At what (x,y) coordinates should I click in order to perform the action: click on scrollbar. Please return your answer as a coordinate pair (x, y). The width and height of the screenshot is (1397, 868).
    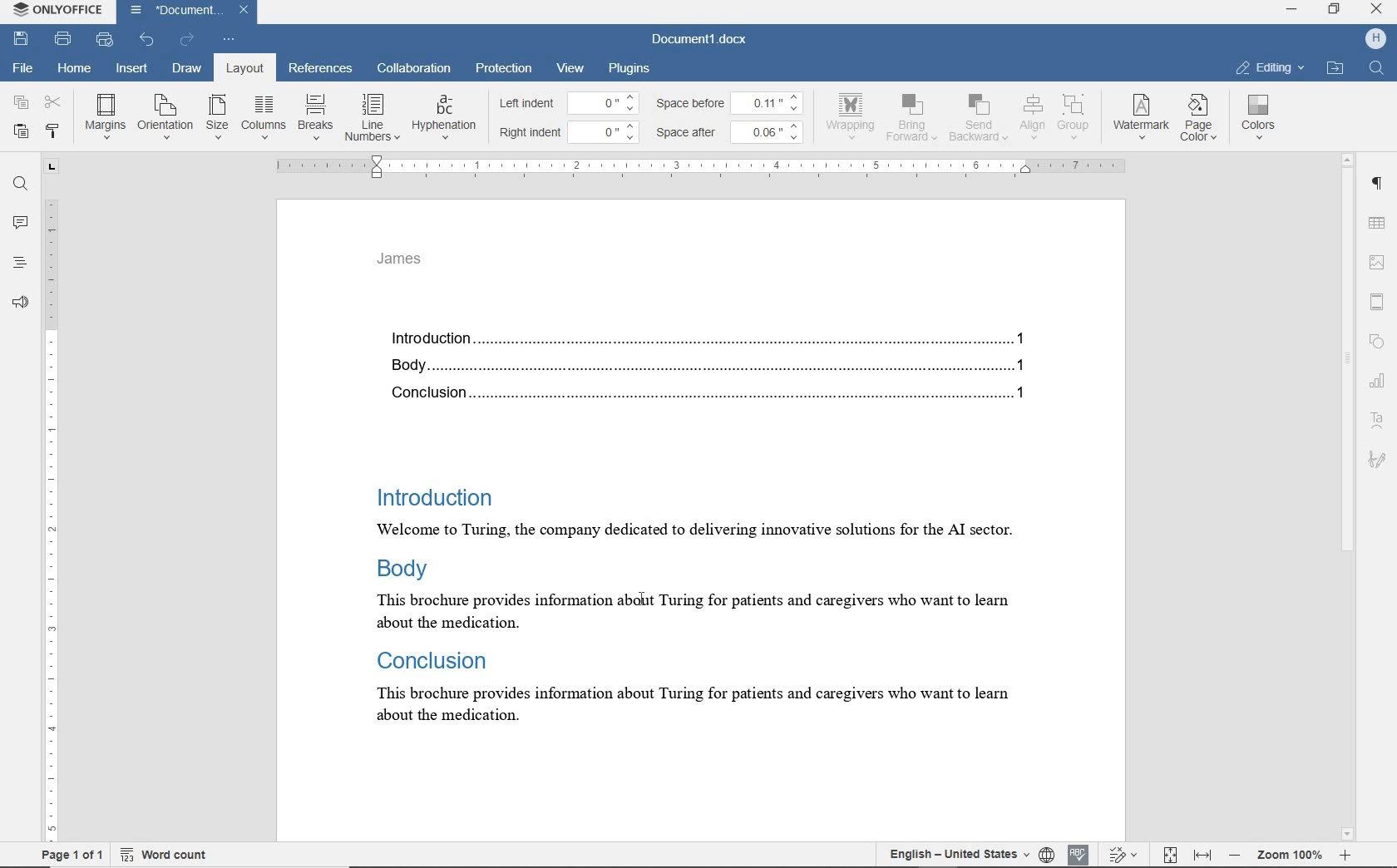
    Looking at the image, I should click on (1348, 497).